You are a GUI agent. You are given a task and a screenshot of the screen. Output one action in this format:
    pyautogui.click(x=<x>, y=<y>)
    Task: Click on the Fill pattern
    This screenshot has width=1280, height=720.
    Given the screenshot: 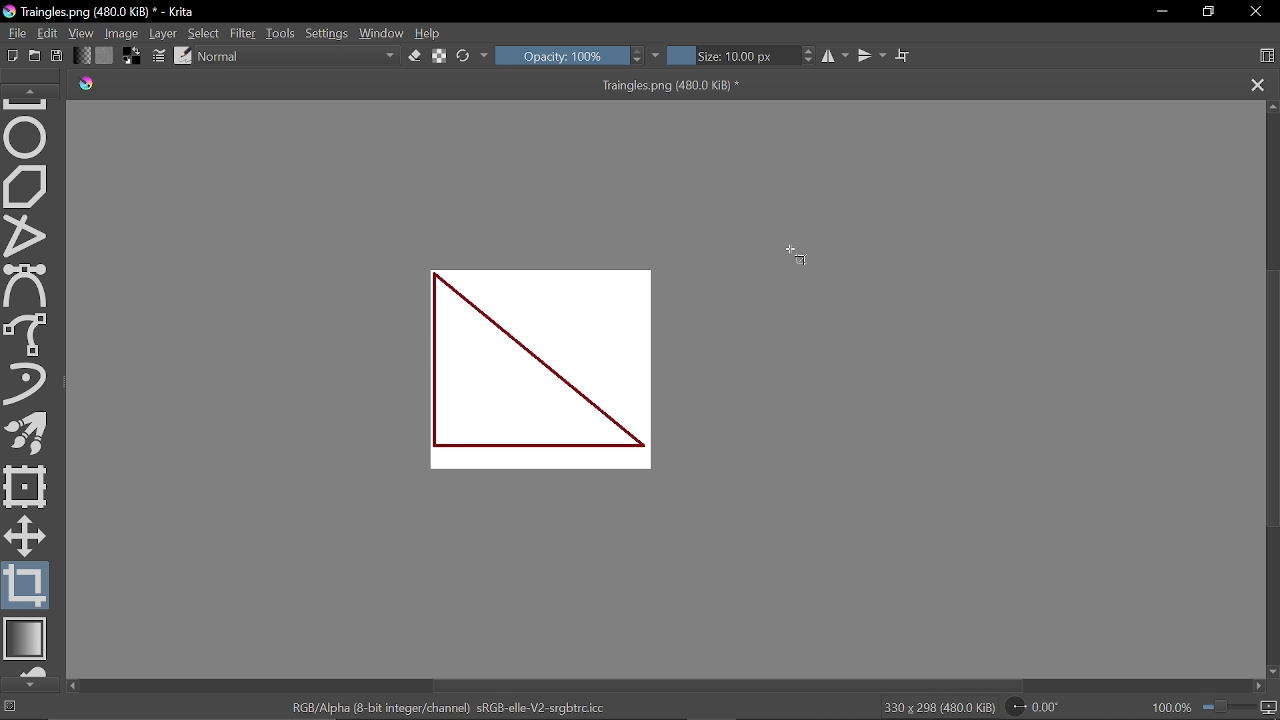 What is the action you would take?
    pyautogui.click(x=105, y=56)
    